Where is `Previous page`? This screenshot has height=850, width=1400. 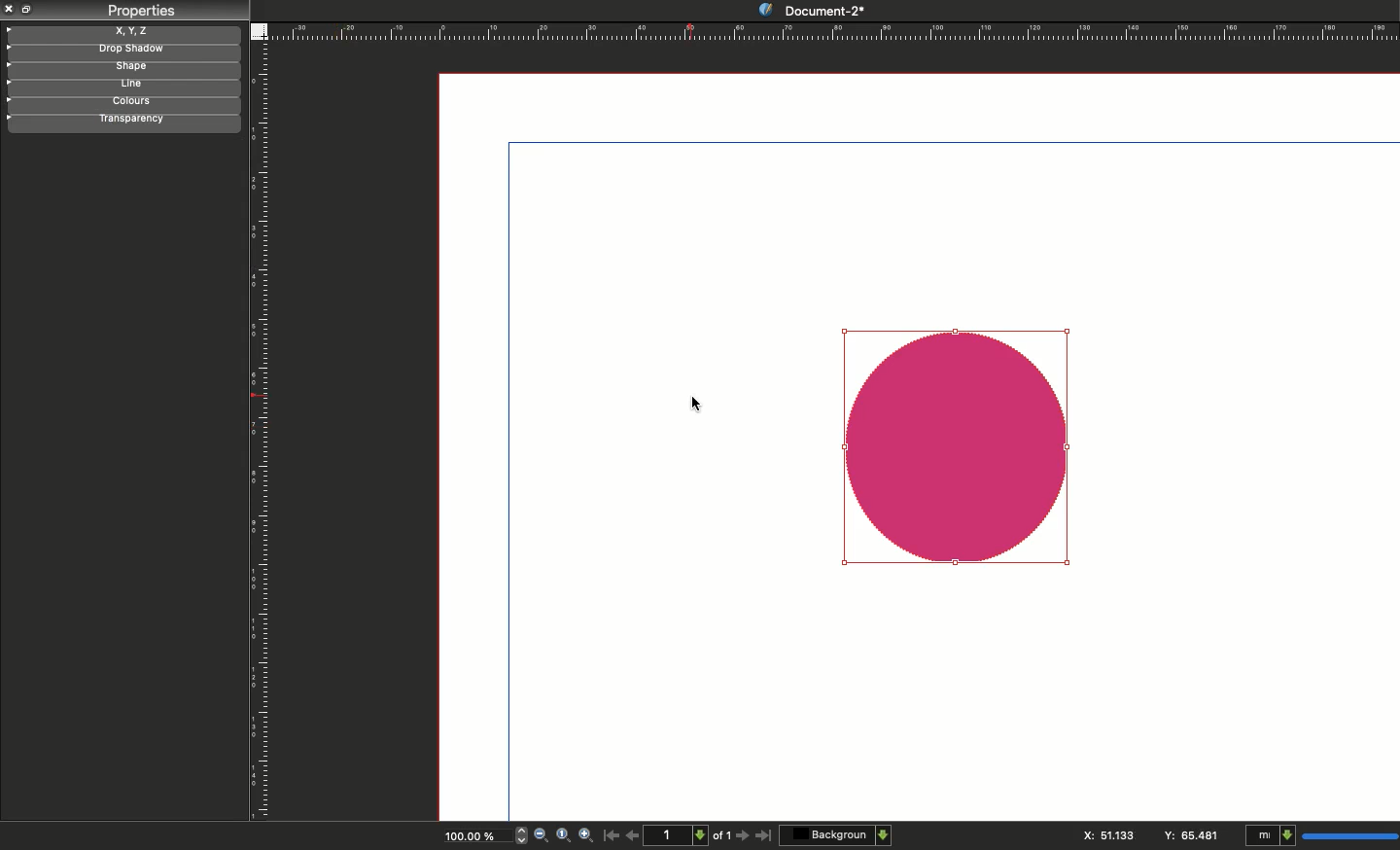
Previous page is located at coordinates (633, 834).